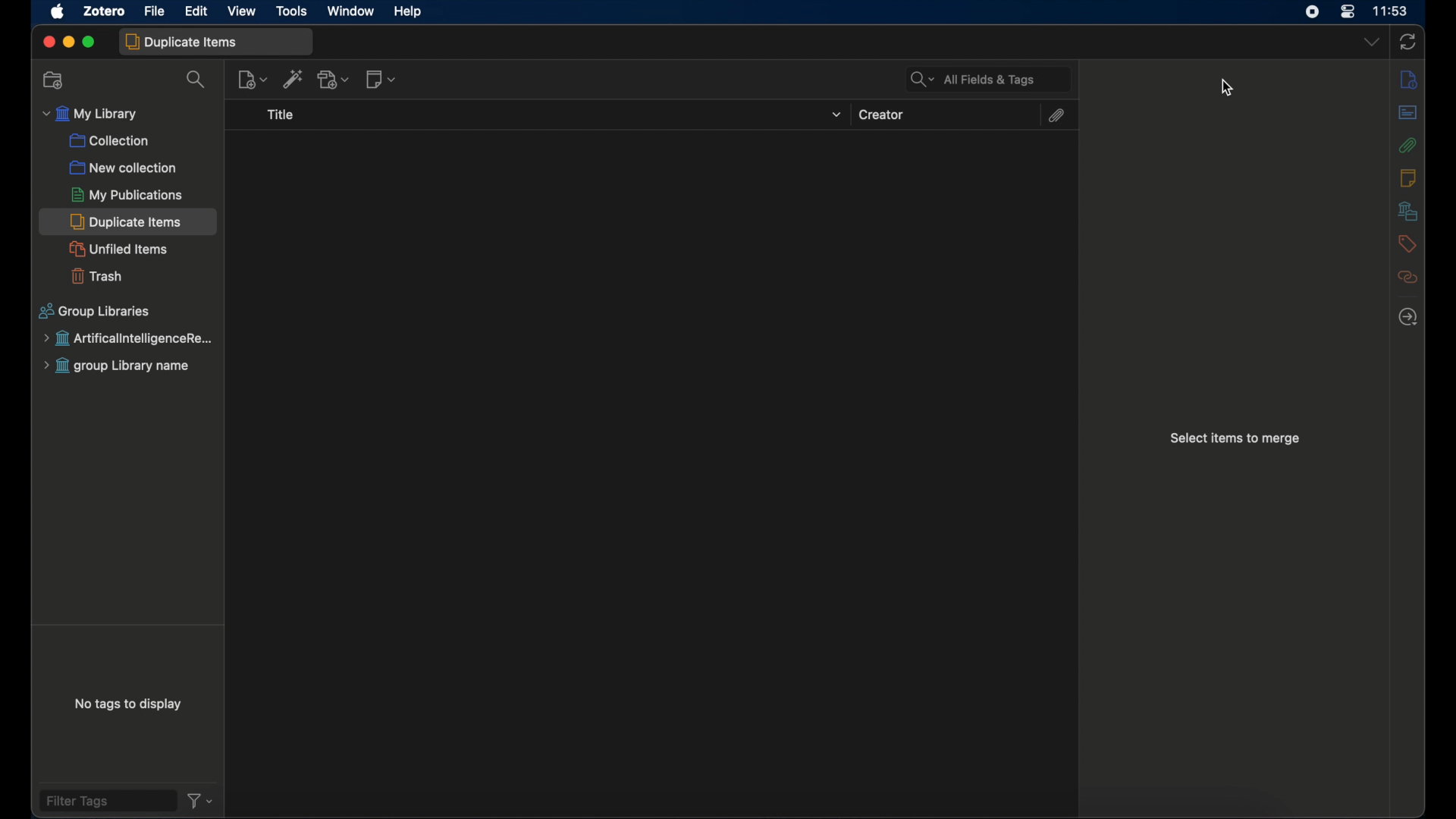 The width and height of the screenshot is (1456, 819). What do you see at coordinates (127, 339) in the screenshot?
I see `group library` at bounding box center [127, 339].